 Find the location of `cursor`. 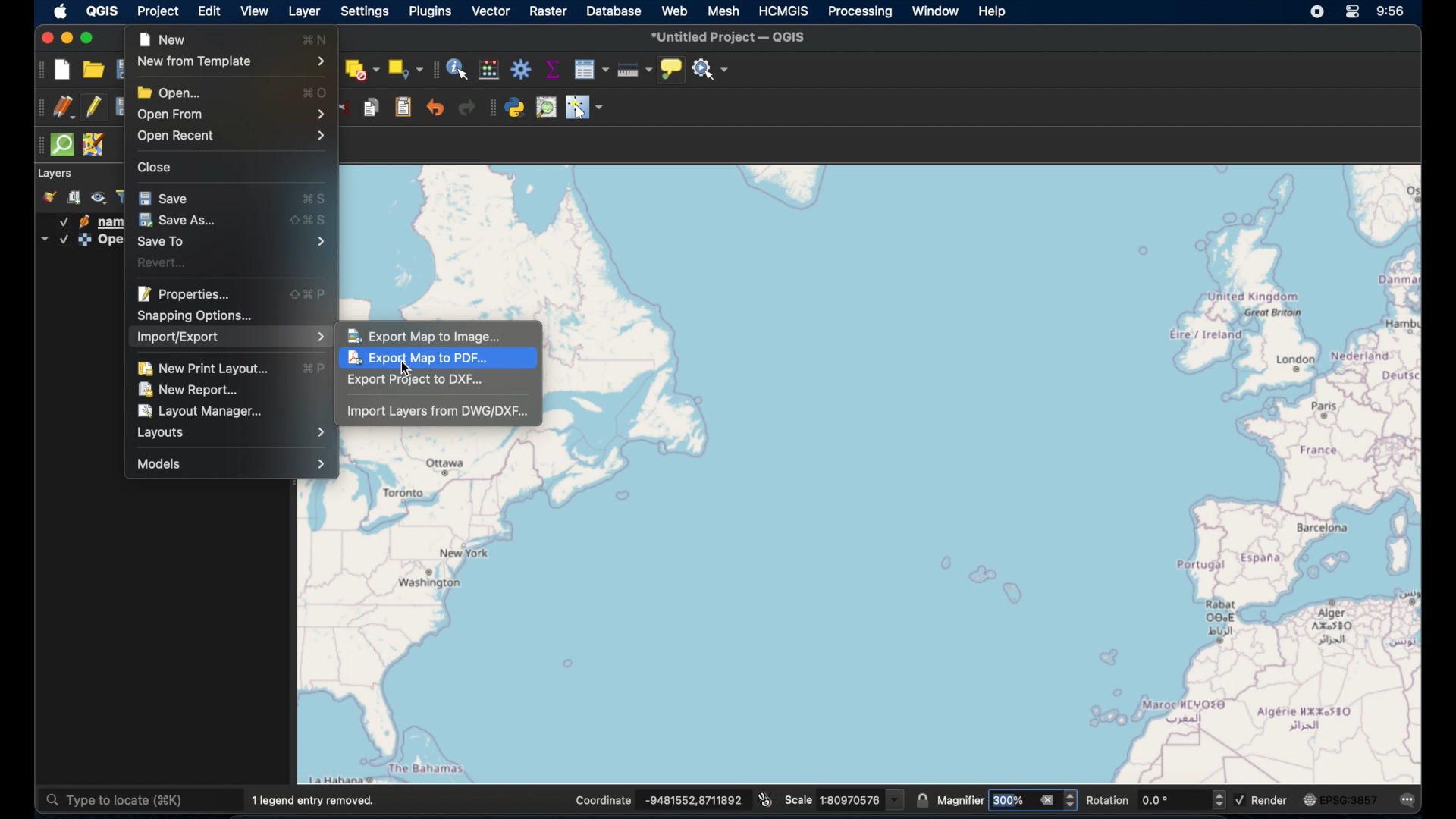

cursor is located at coordinates (409, 370).